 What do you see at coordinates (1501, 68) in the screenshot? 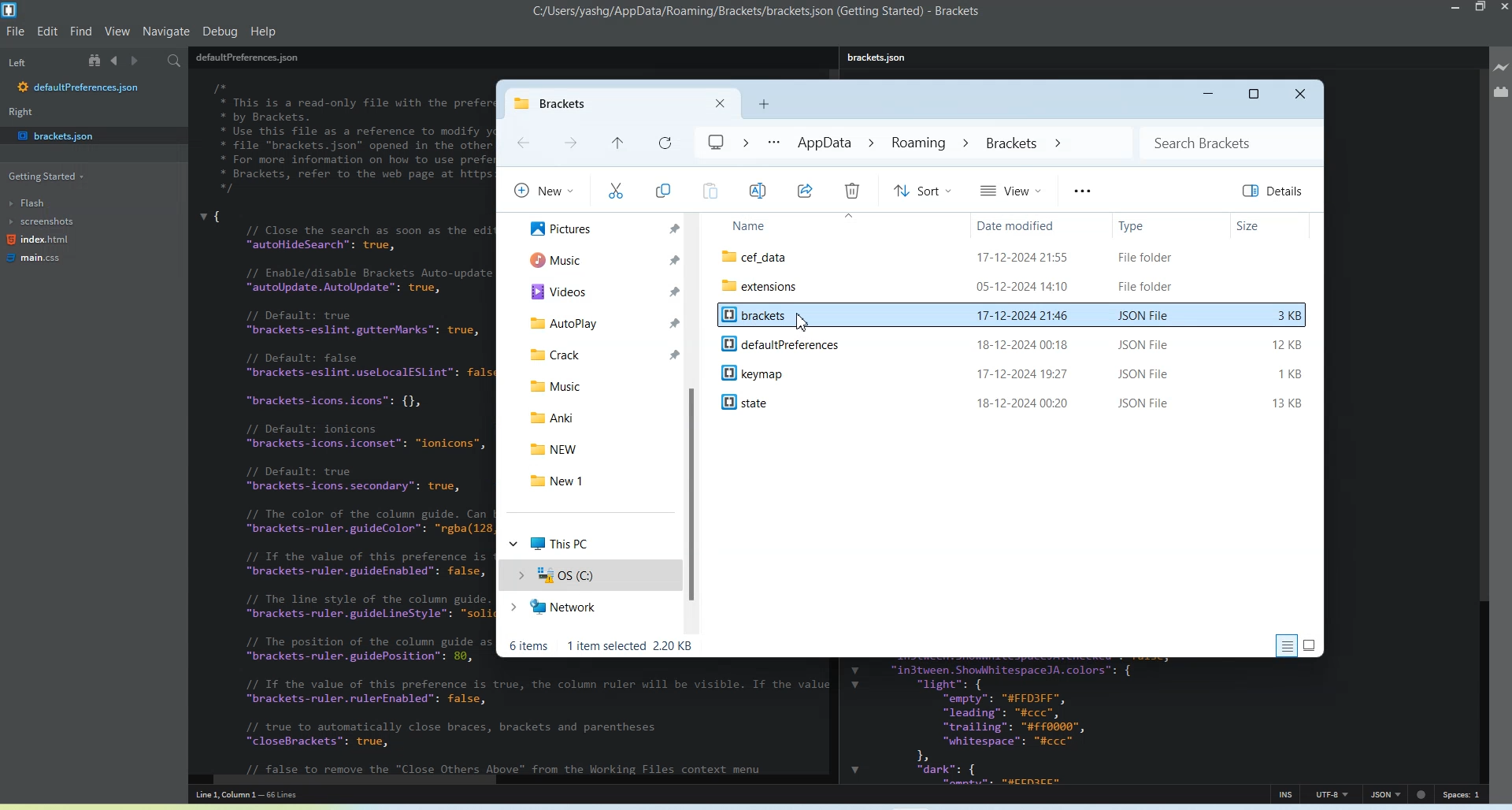
I see `Live Preview` at bounding box center [1501, 68].